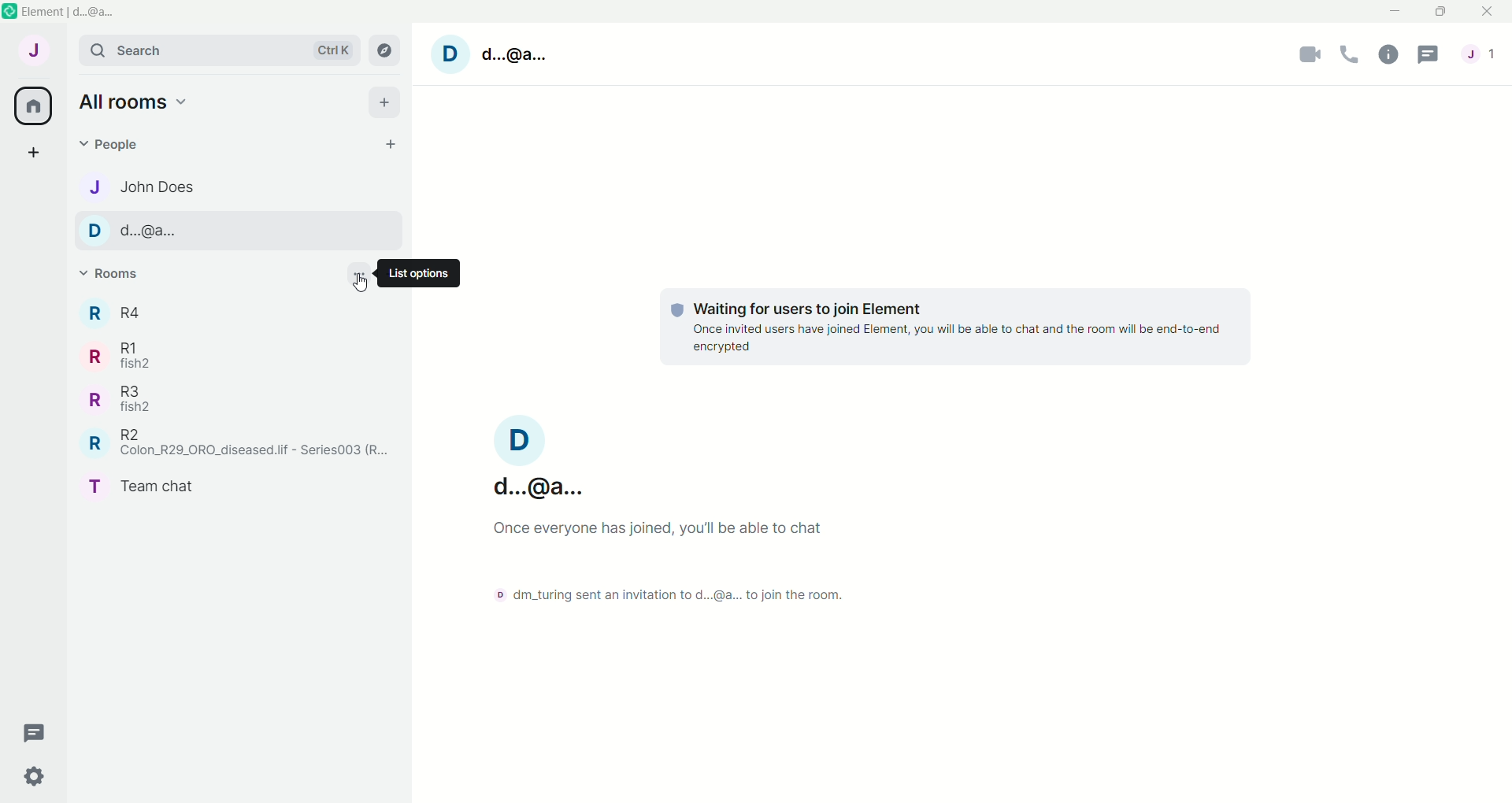 This screenshot has width=1512, height=803. What do you see at coordinates (168, 185) in the screenshot?
I see `Contact name` at bounding box center [168, 185].